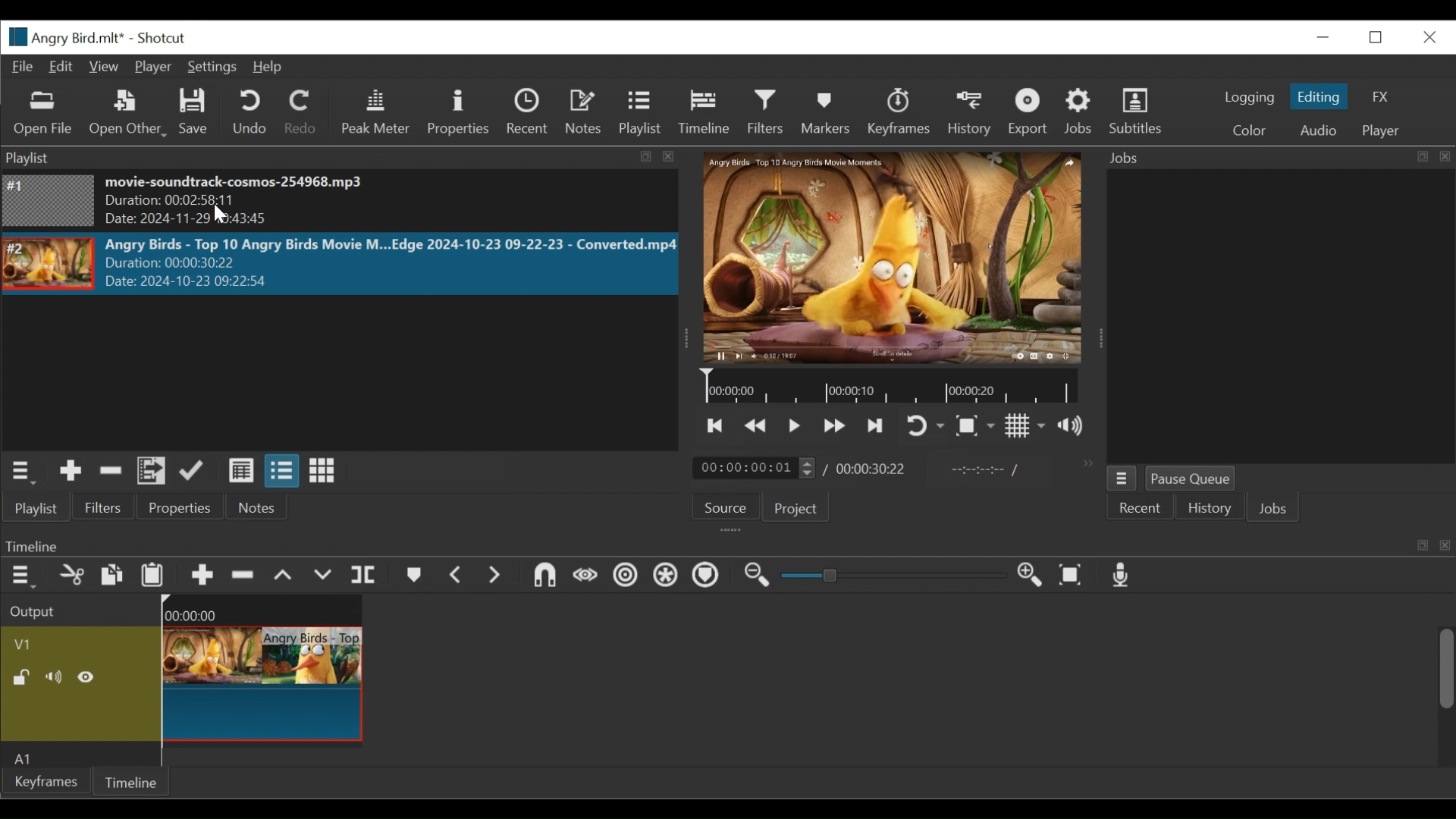  Describe the element at coordinates (267, 610) in the screenshot. I see `00:00:00(Timeline)` at that location.